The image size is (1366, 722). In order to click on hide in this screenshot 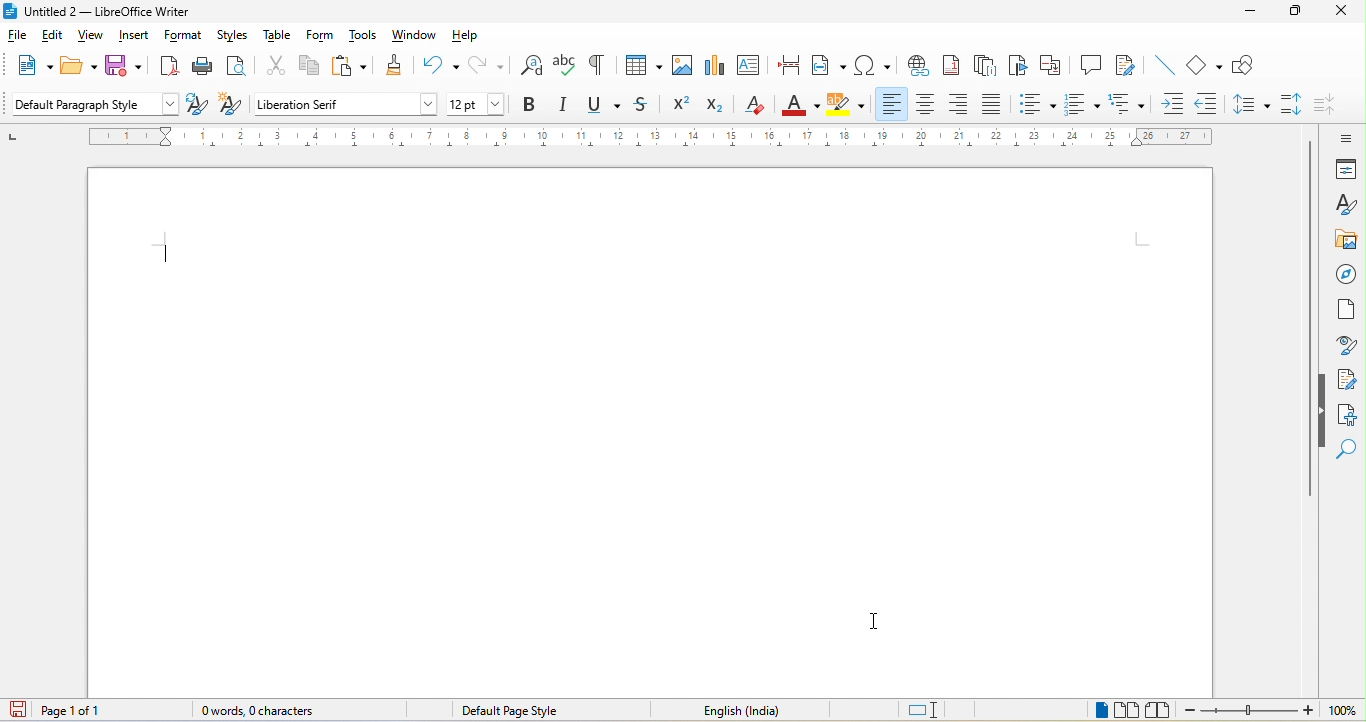, I will do `click(1322, 411)`.